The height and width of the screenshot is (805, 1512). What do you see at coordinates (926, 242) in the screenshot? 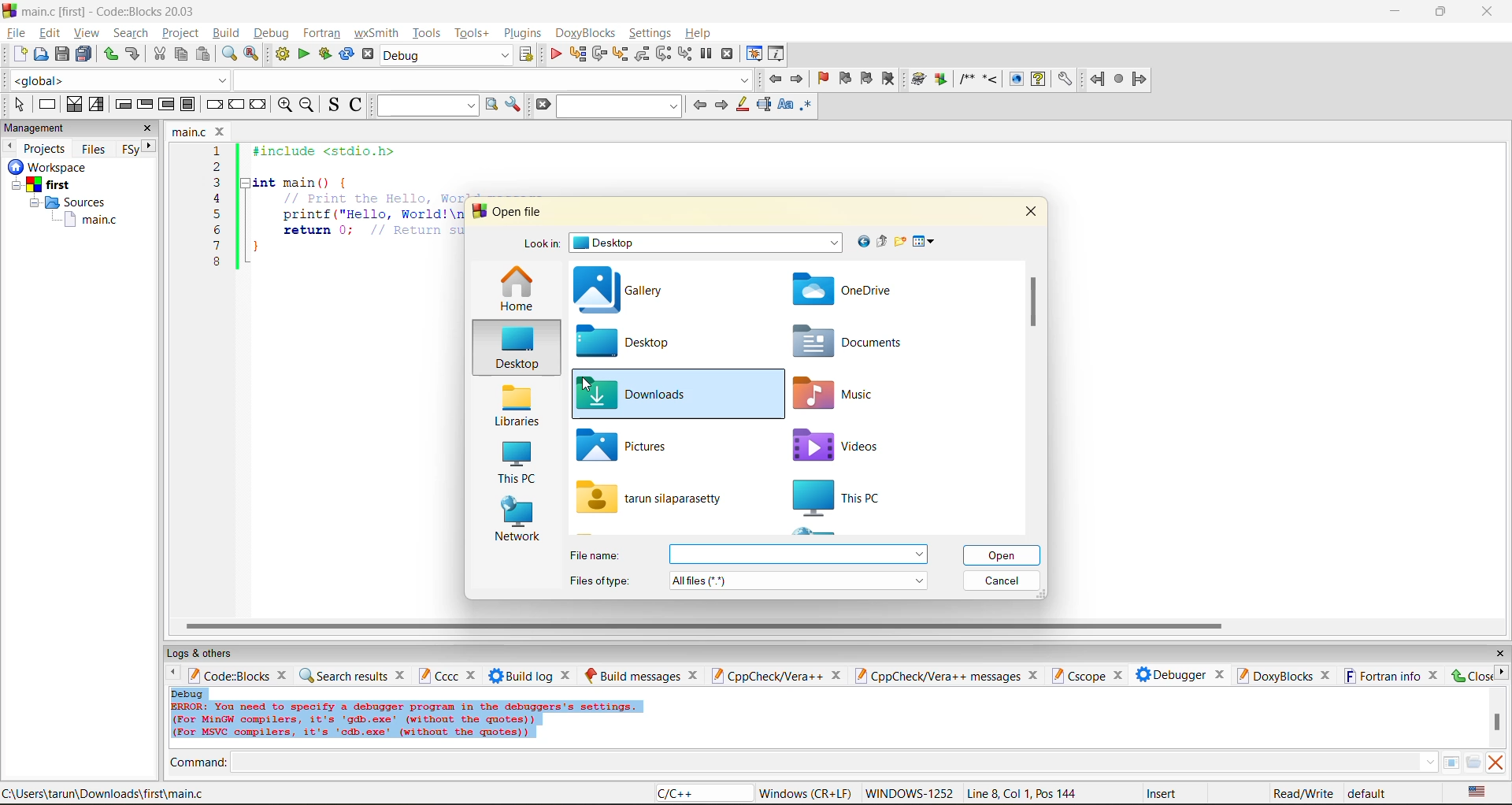
I see `view menu` at bounding box center [926, 242].